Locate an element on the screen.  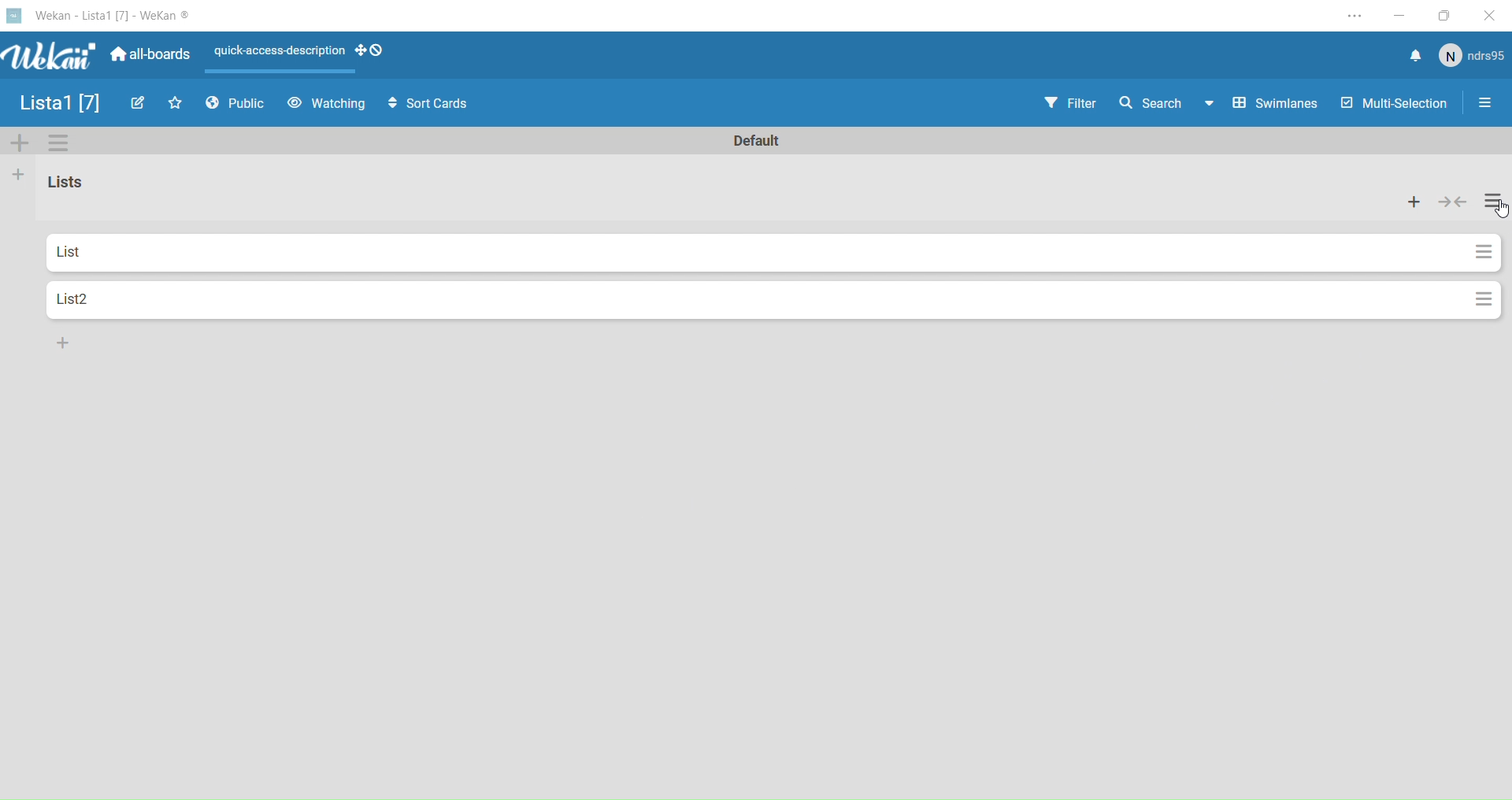
Multi Selection is located at coordinates (1396, 103).